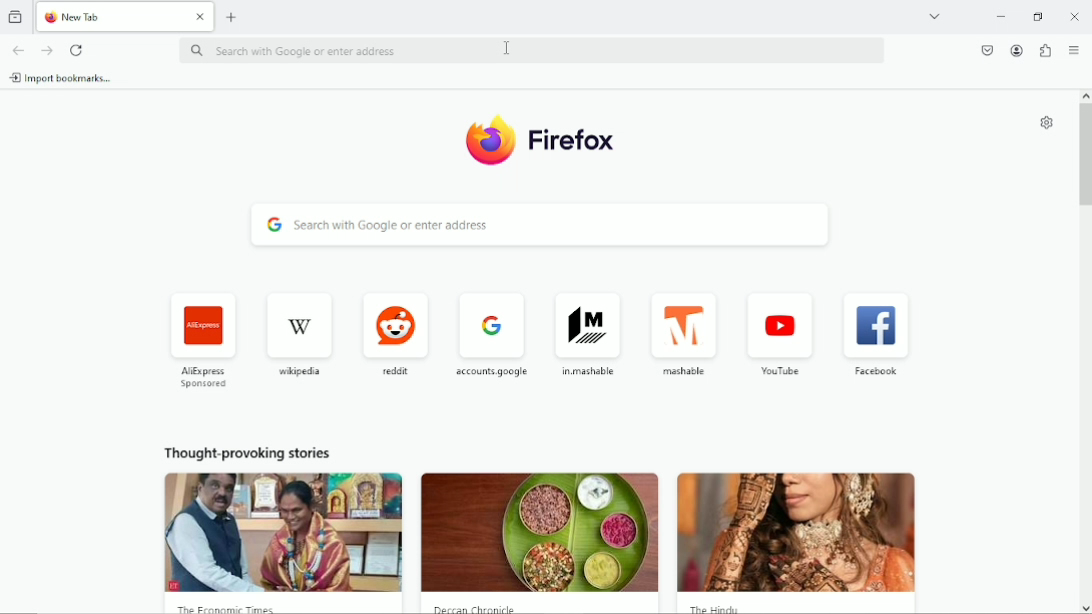 The height and width of the screenshot is (614, 1092). Describe the element at coordinates (483, 609) in the screenshot. I see `deccan chronicle` at that location.